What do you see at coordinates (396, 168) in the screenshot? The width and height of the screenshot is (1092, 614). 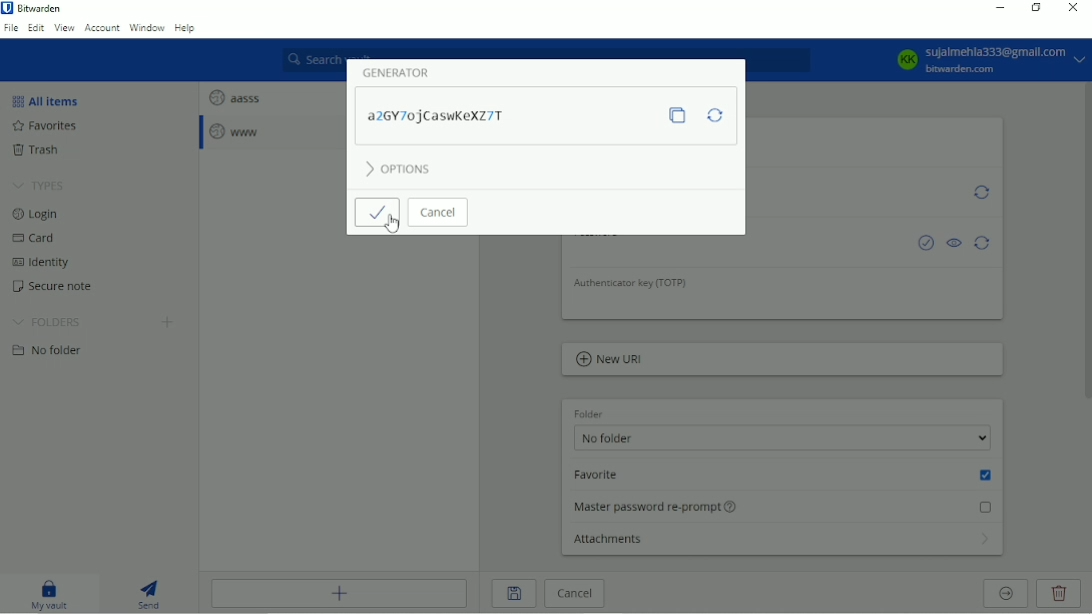 I see `Options` at bounding box center [396, 168].